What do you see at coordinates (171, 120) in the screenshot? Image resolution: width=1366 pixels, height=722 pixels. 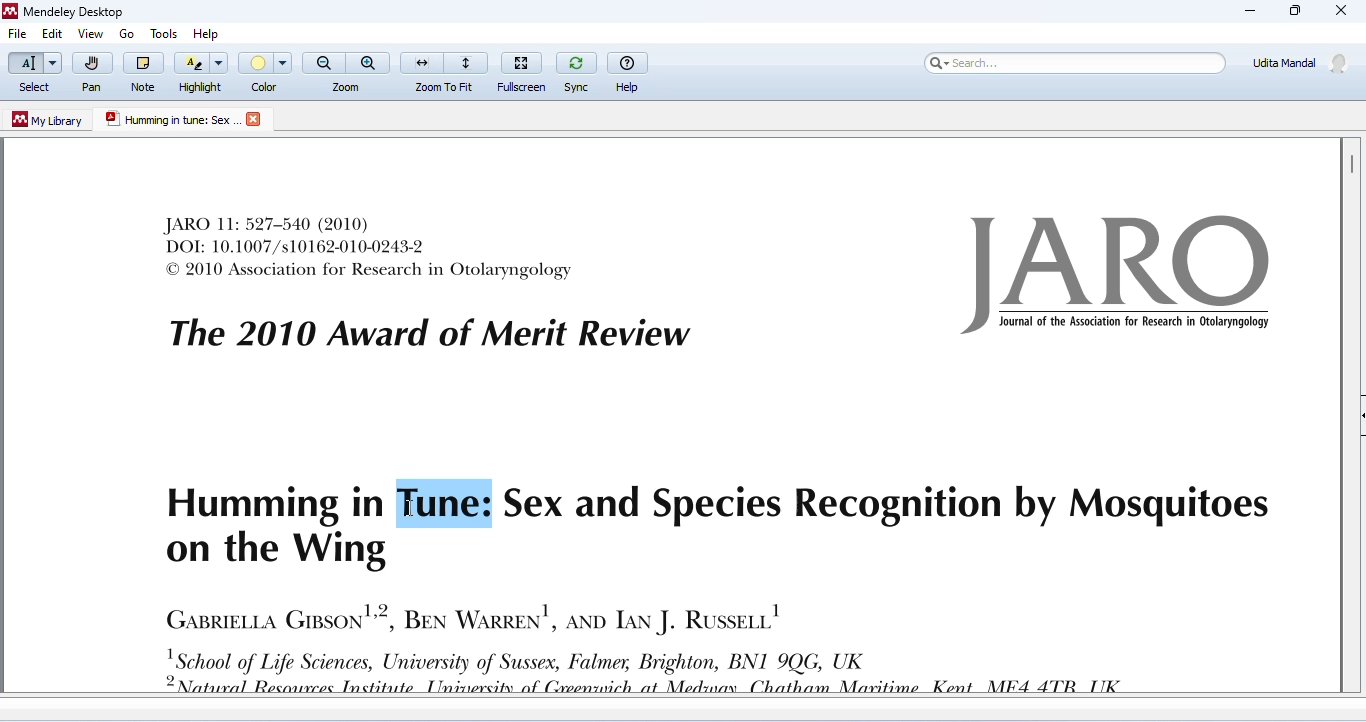 I see `tab name :Humming in tune: Sex and species recognition by mosquitoes on the wing` at bounding box center [171, 120].